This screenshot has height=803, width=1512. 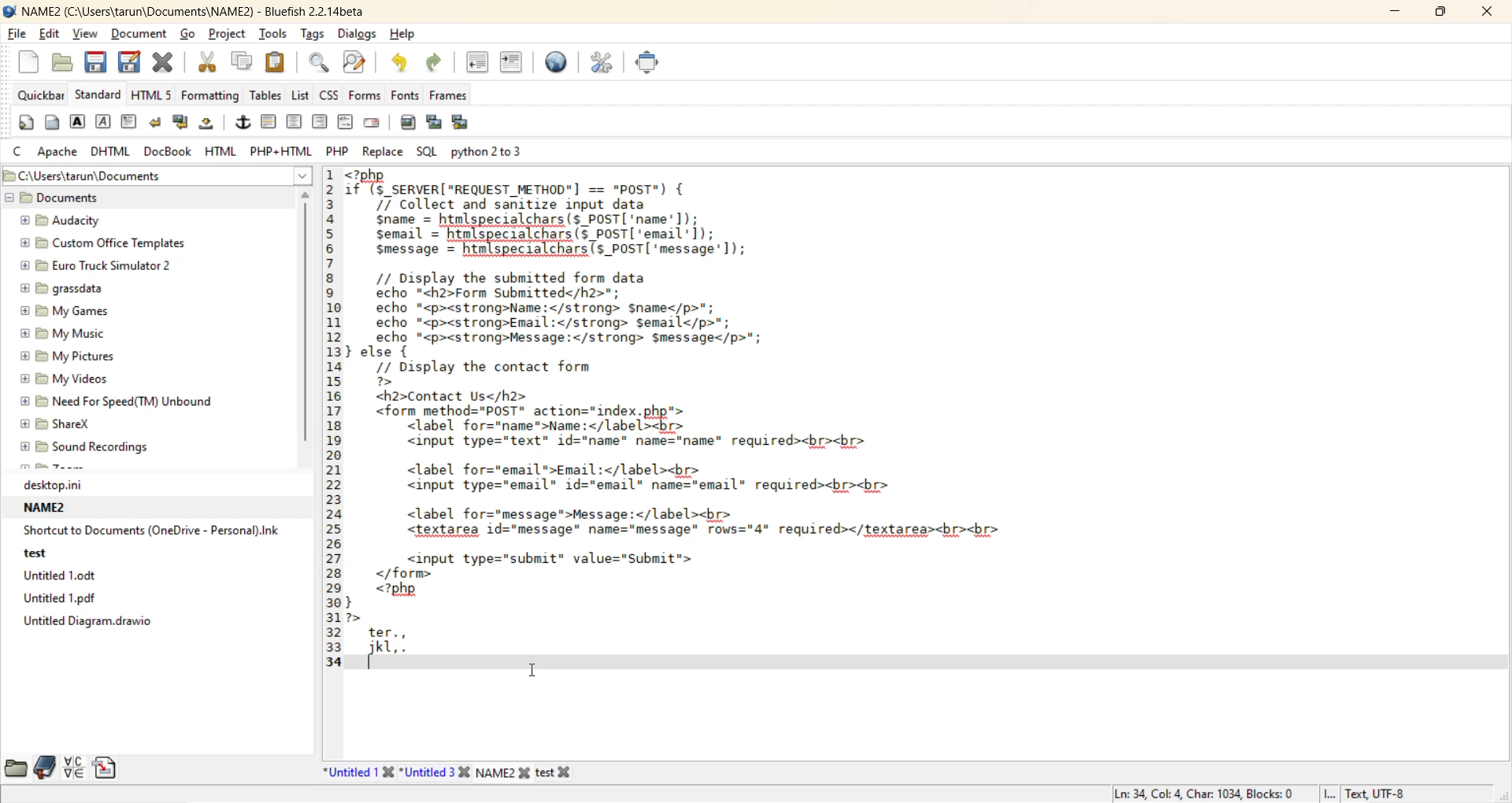 I want to click on charmap, so click(x=74, y=768).